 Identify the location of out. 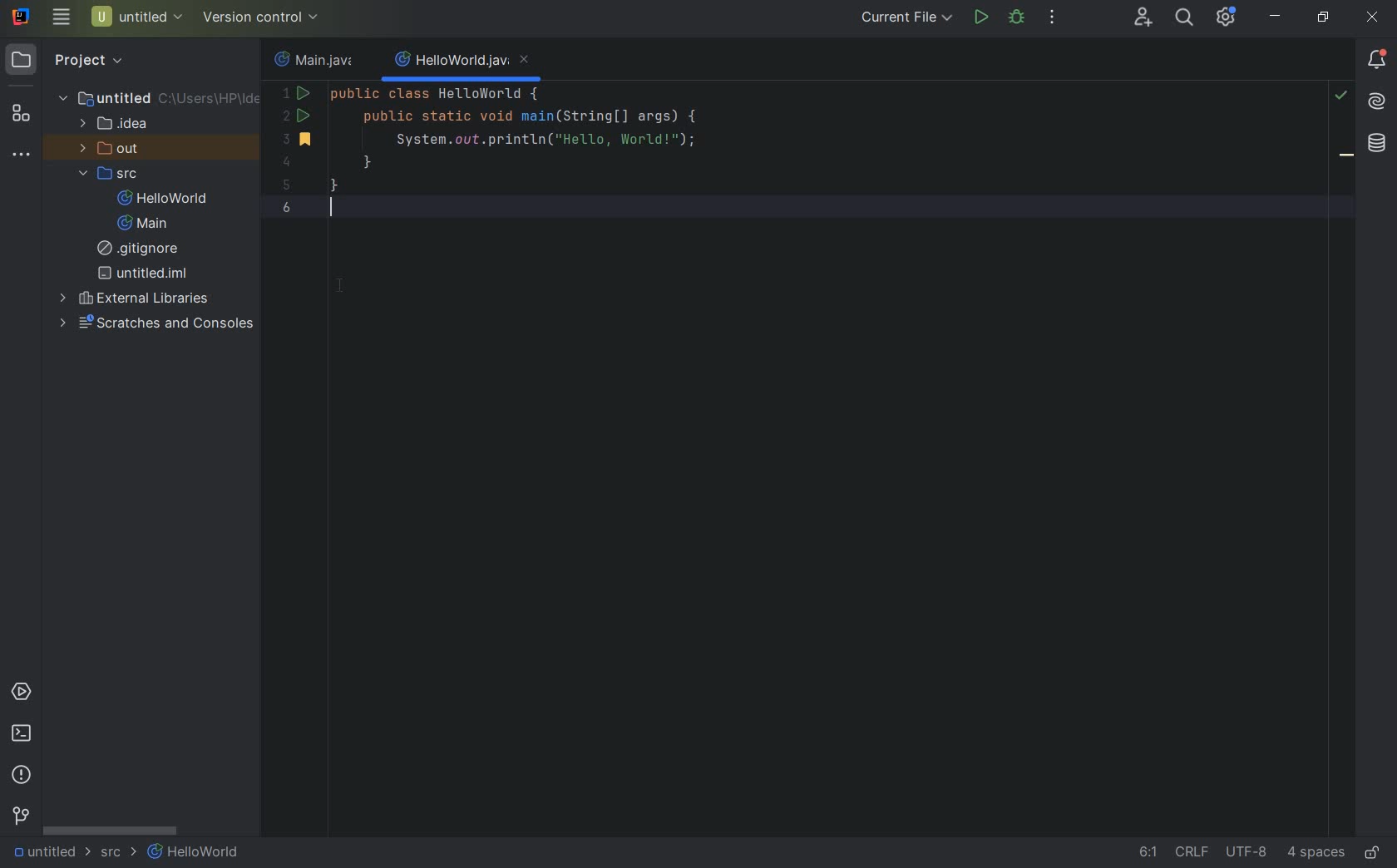
(110, 150).